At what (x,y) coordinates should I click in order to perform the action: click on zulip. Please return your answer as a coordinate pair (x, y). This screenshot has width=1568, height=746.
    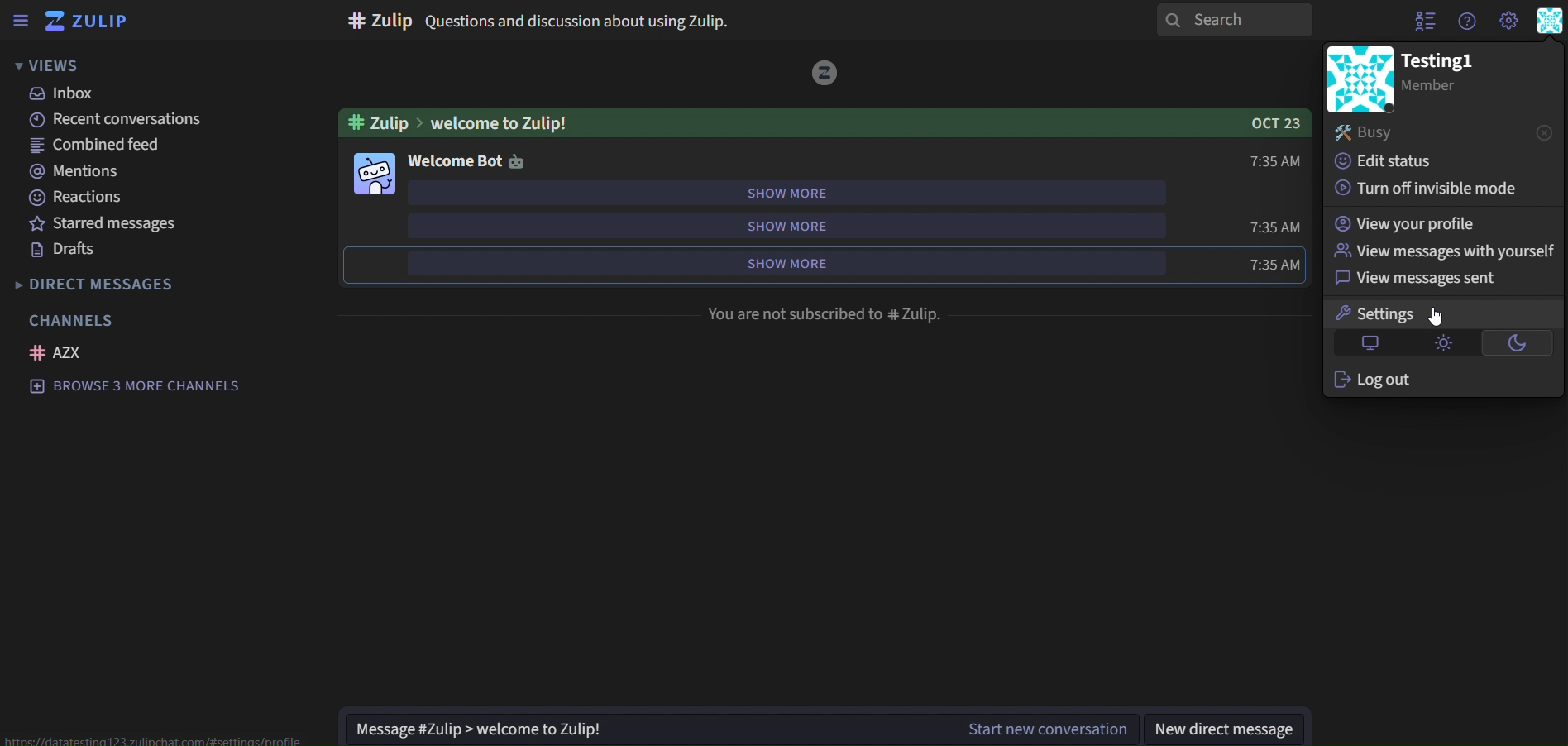
    Looking at the image, I should click on (87, 21).